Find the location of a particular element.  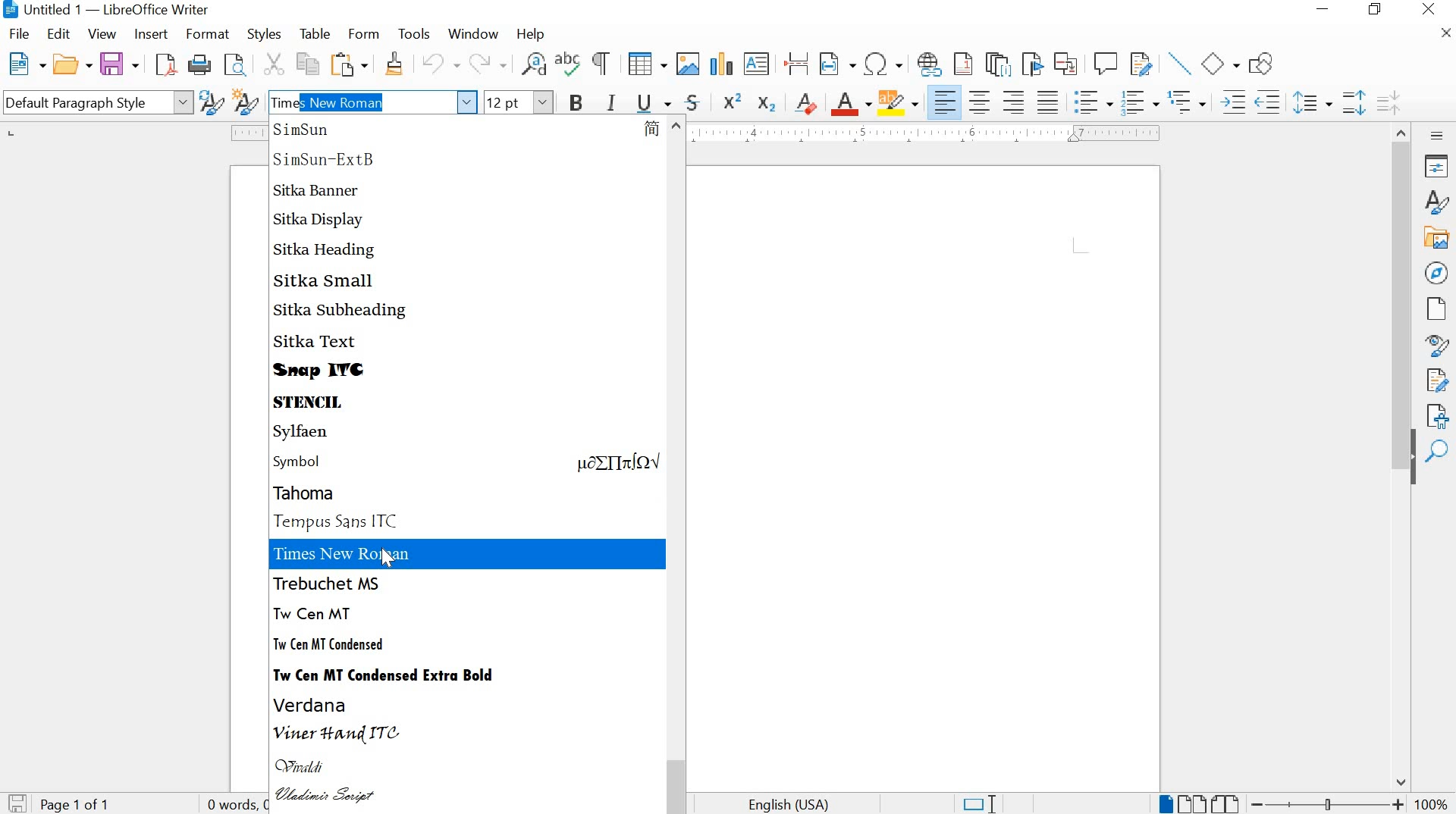

SHOW TRACK CHANGES is located at coordinates (1143, 64).